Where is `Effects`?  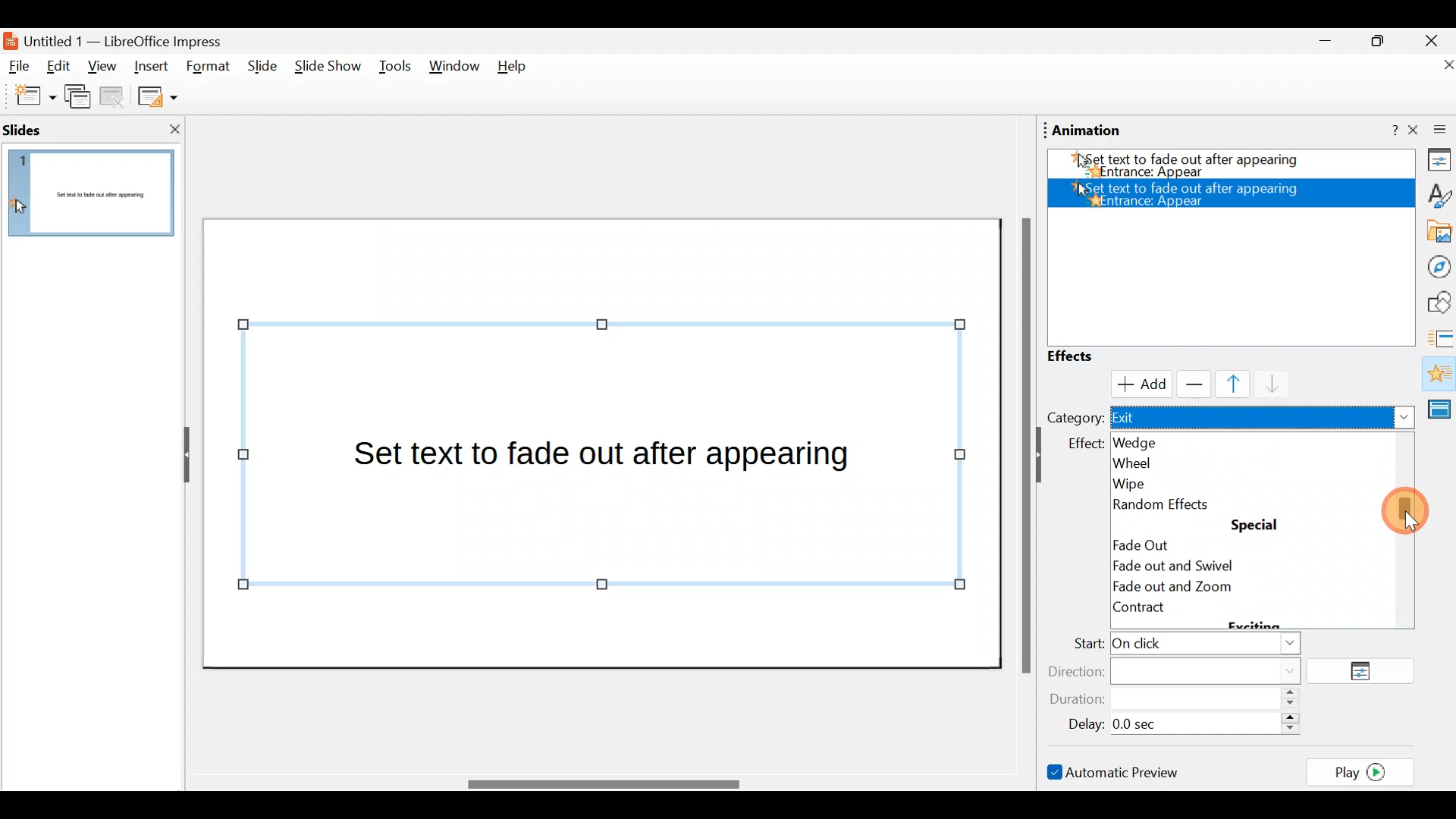 Effects is located at coordinates (1084, 356).